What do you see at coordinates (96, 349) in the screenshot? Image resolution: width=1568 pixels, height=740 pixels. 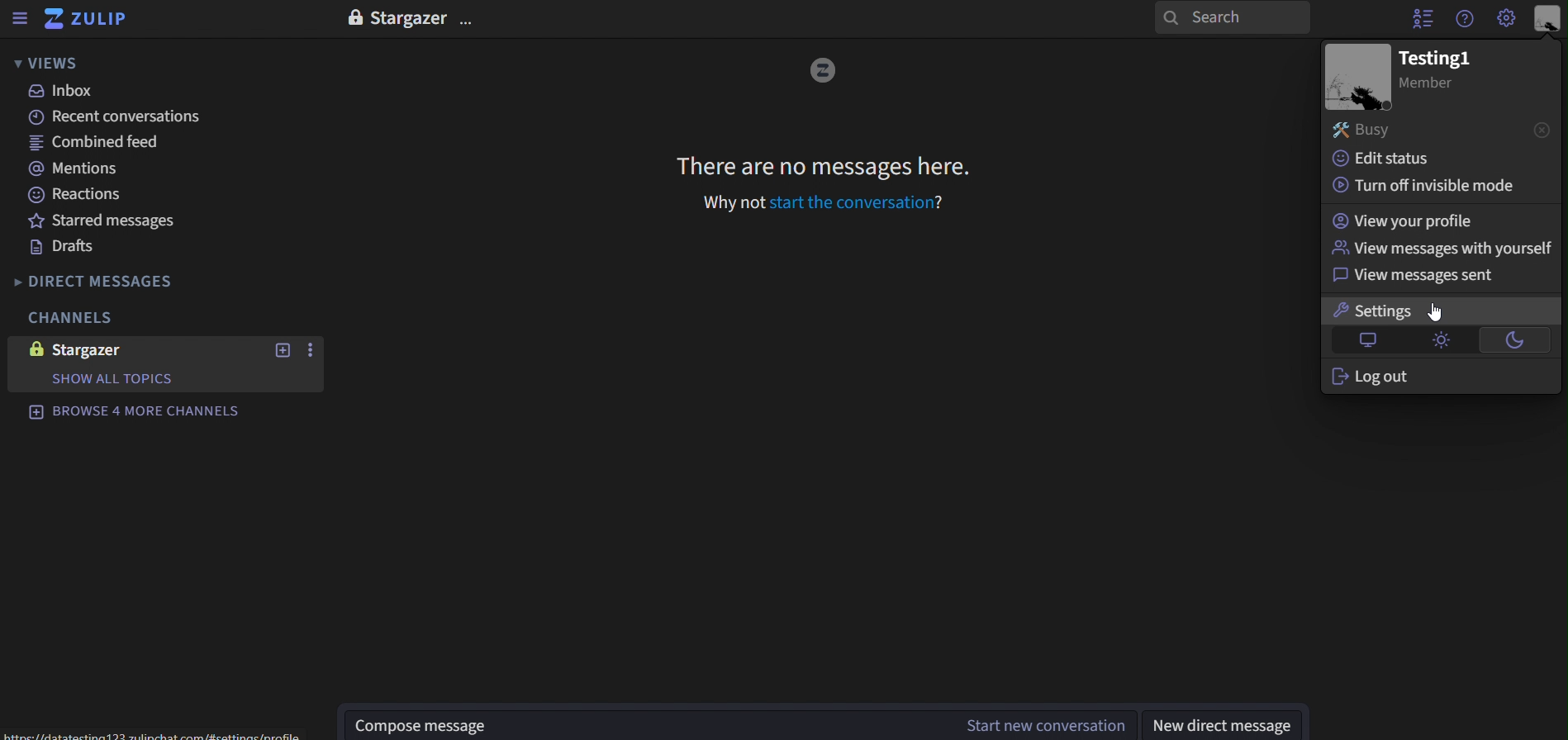 I see `stargazer` at bounding box center [96, 349].